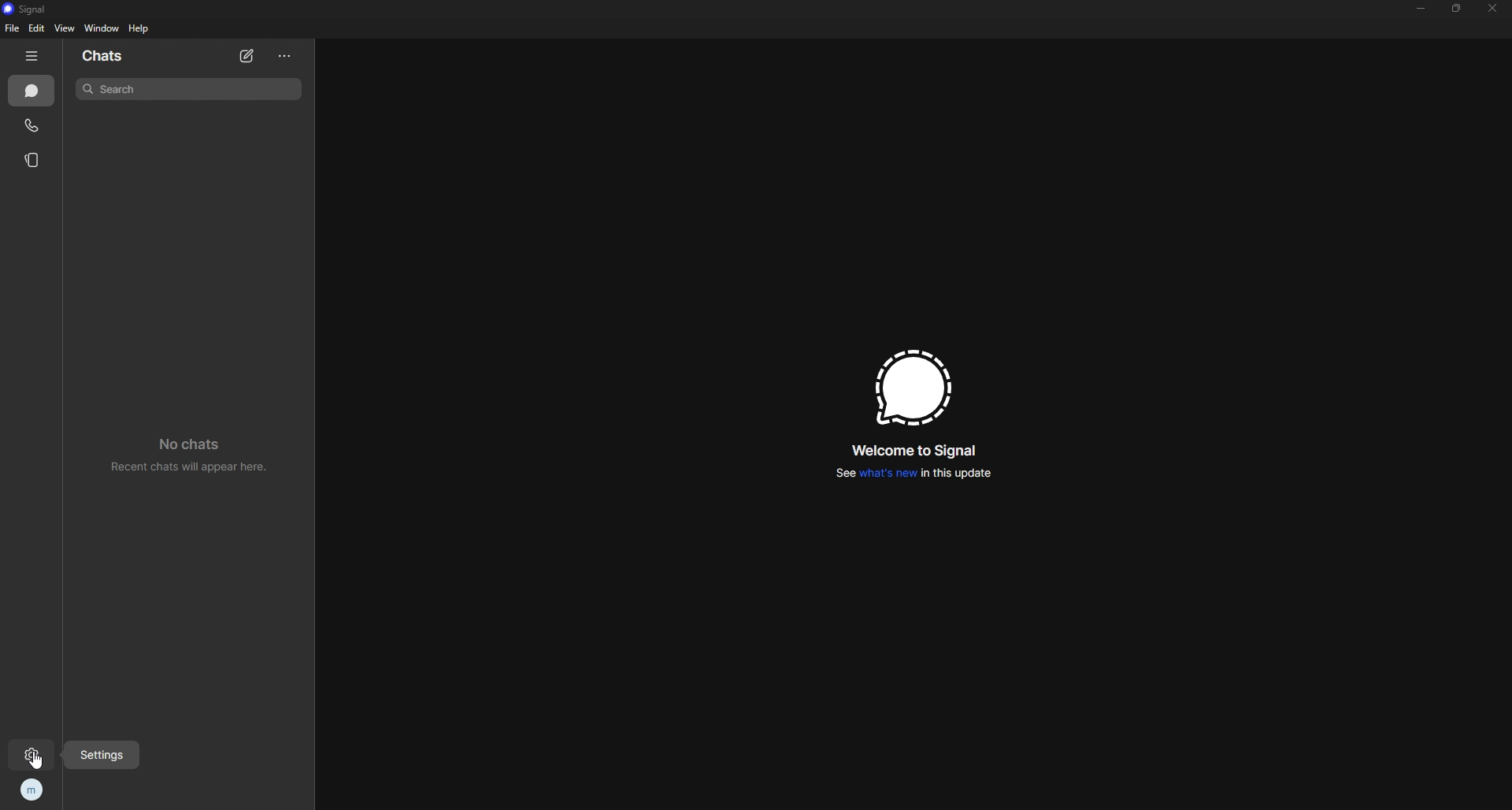 The width and height of the screenshot is (1512, 810). Describe the element at coordinates (32, 91) in the screenshot. I see `chats` at that location.